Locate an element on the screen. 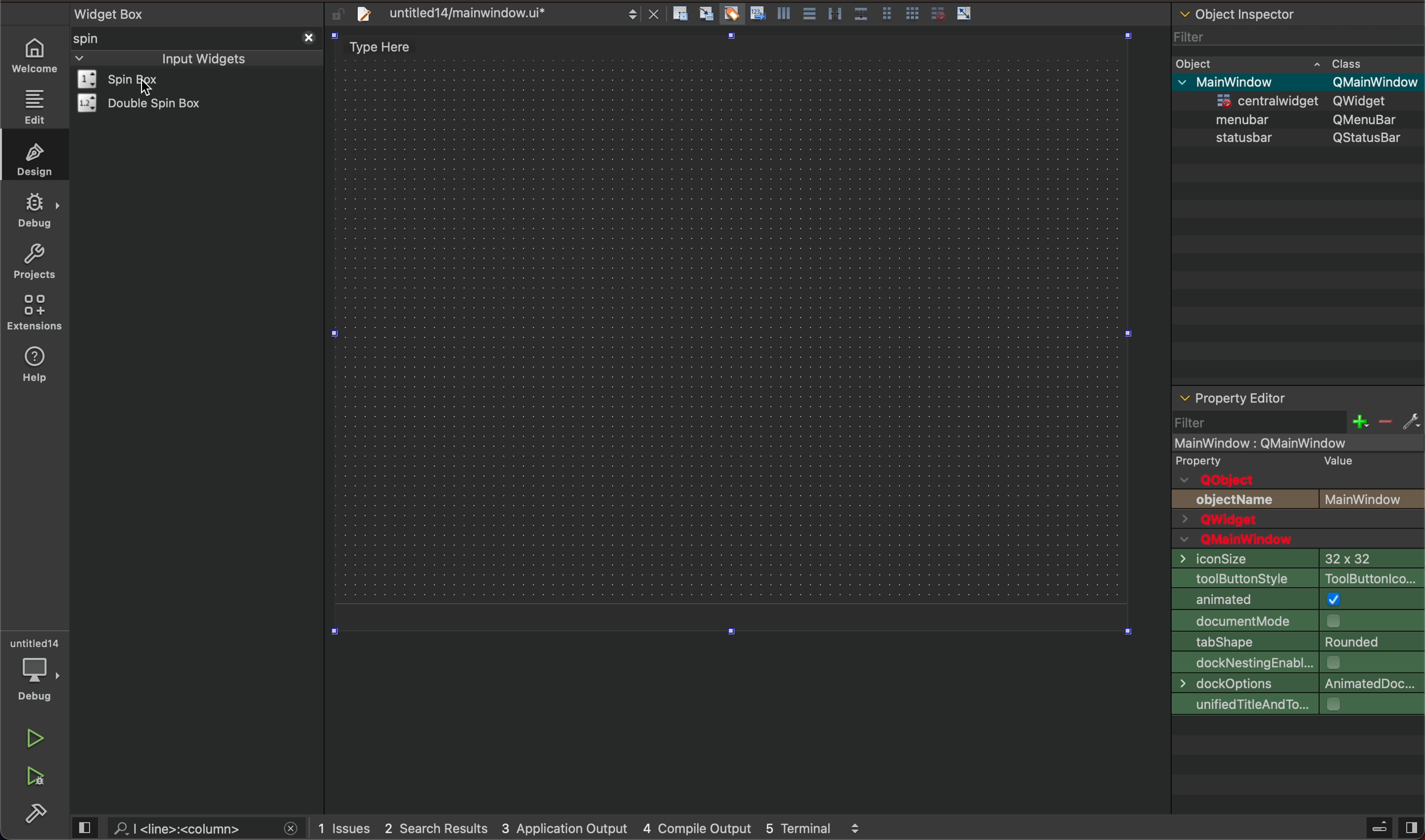 The height and width of the screenshot is (840, 1425). object is located at coordinates (1246, 137).